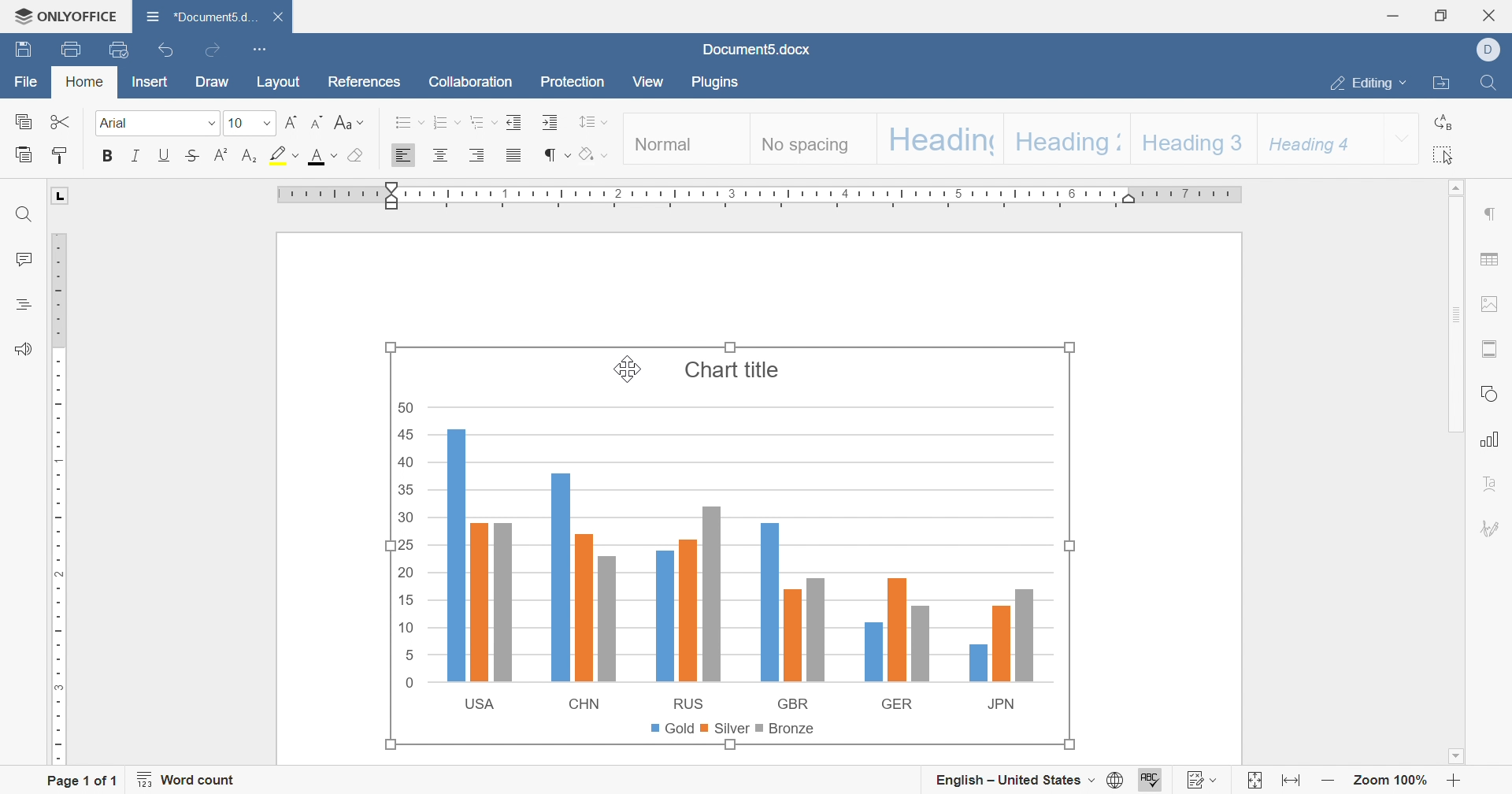 This screenshot has height=794, width=1512. Describe the element at coordinates (24, 50) in the screenshot. I see `save` at that location.